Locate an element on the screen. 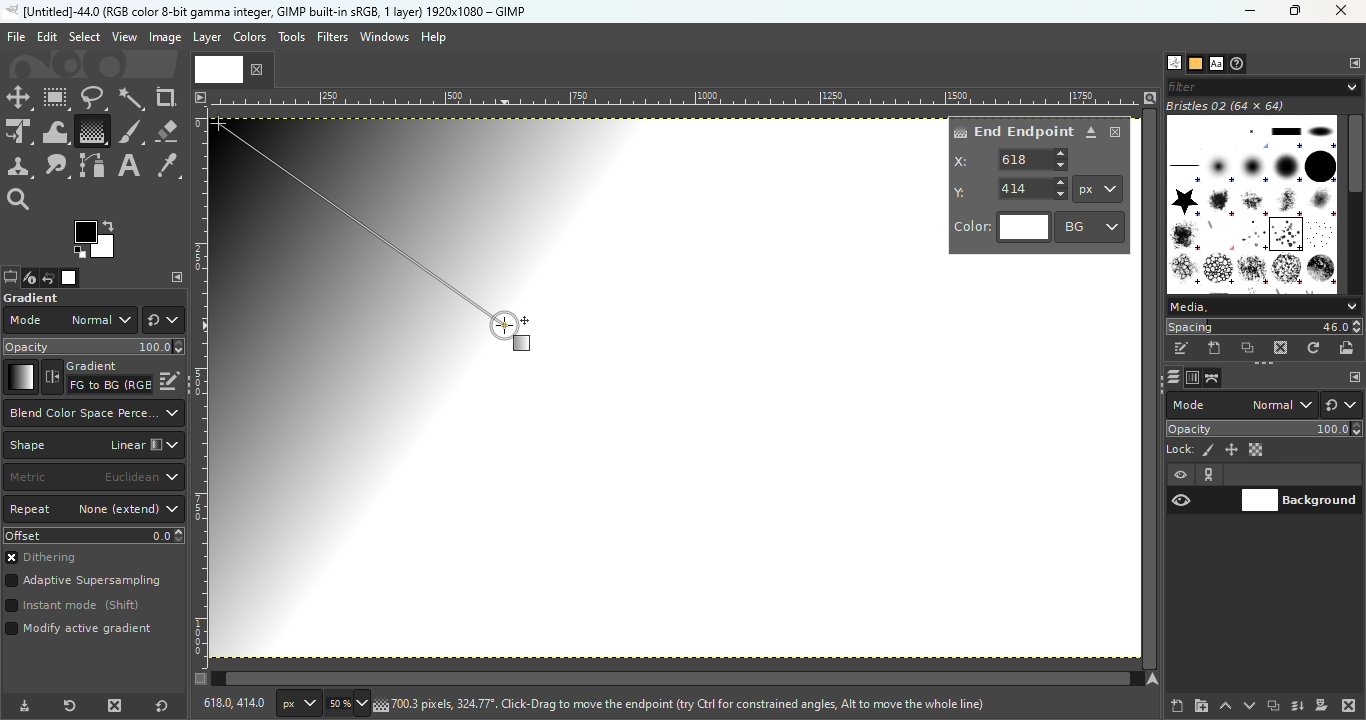  Select is located at coordinates (84, 36).